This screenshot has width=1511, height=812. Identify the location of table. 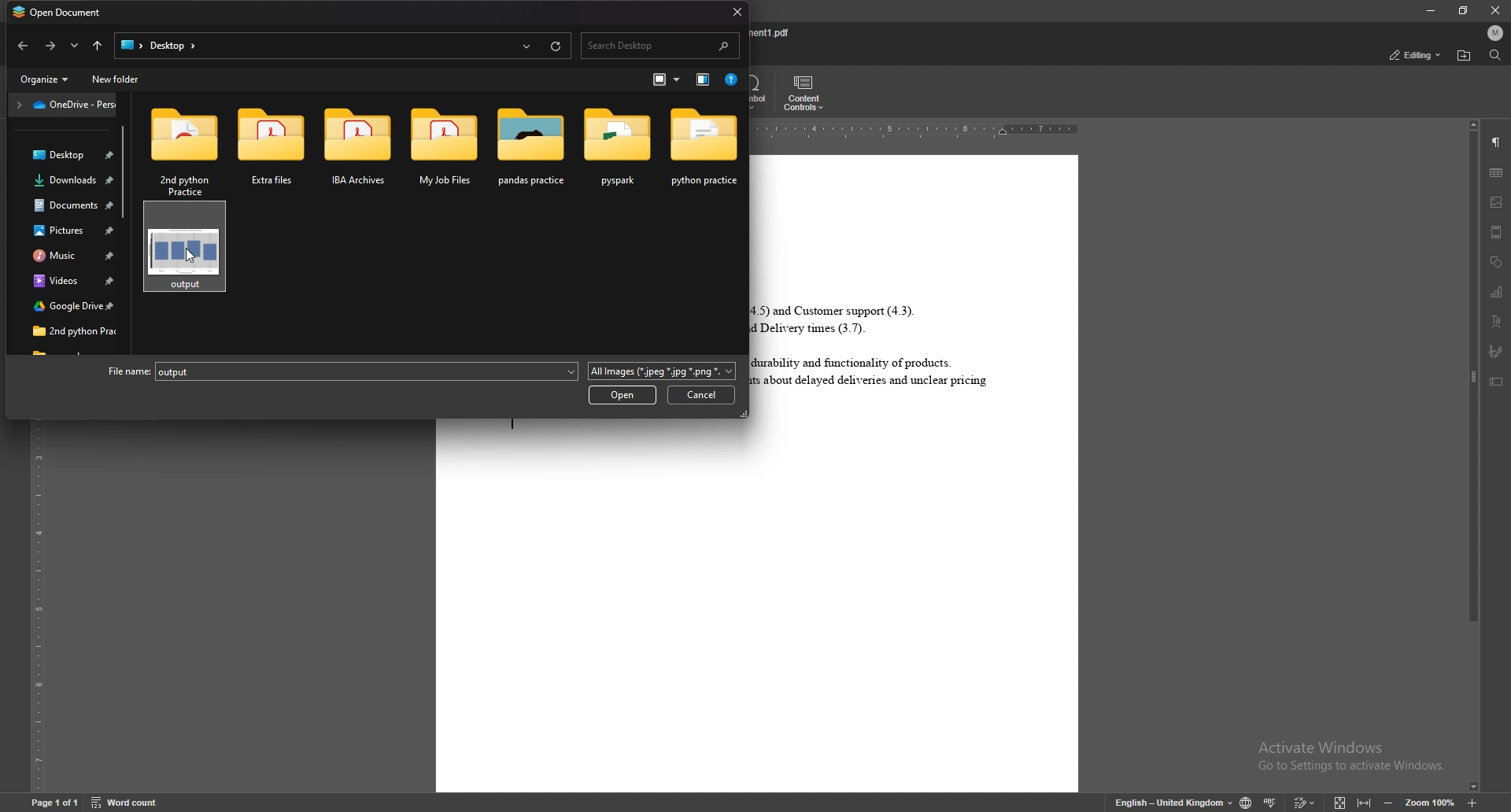
(1497, 173).